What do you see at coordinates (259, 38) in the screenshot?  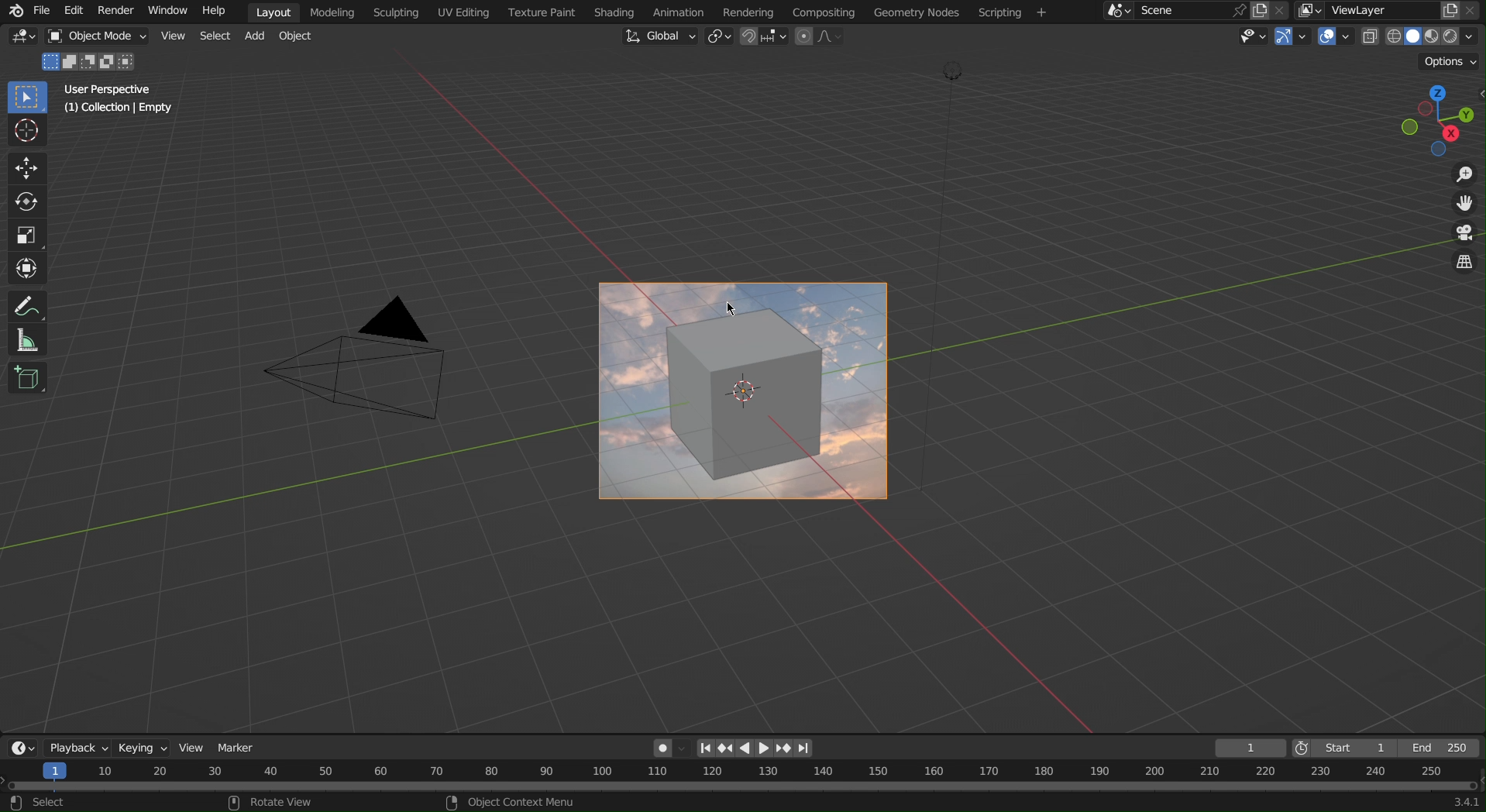 I see `Add` at bounding box center [259, 38].